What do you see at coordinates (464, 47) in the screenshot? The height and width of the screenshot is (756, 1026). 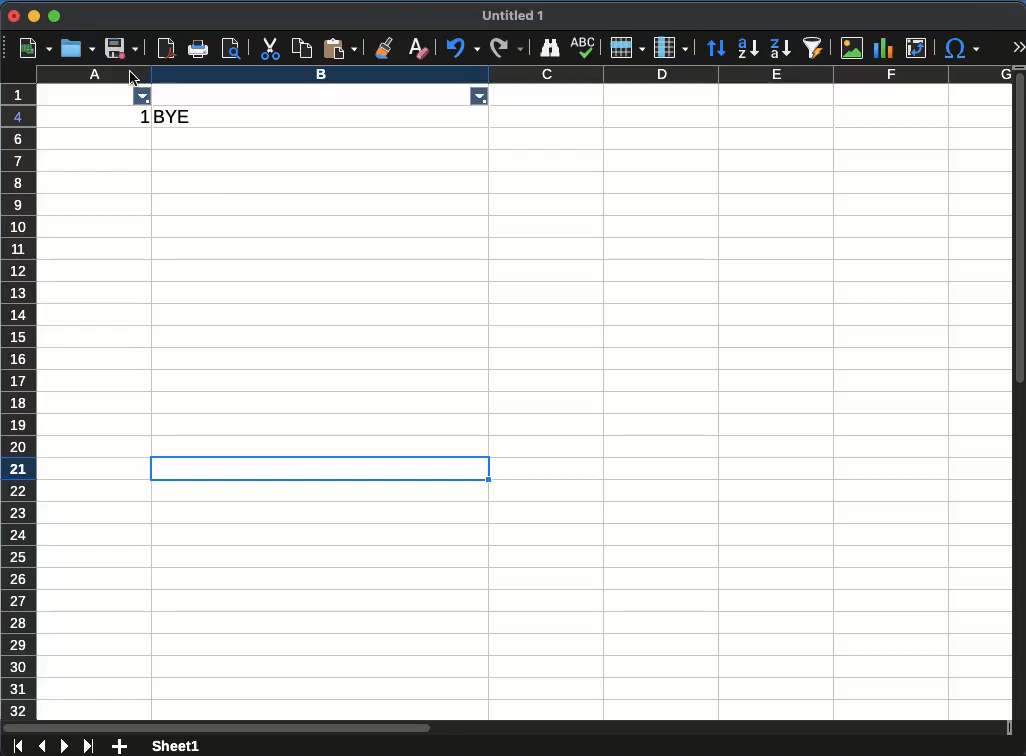 I see `undo` at bounding box center [464, 47].